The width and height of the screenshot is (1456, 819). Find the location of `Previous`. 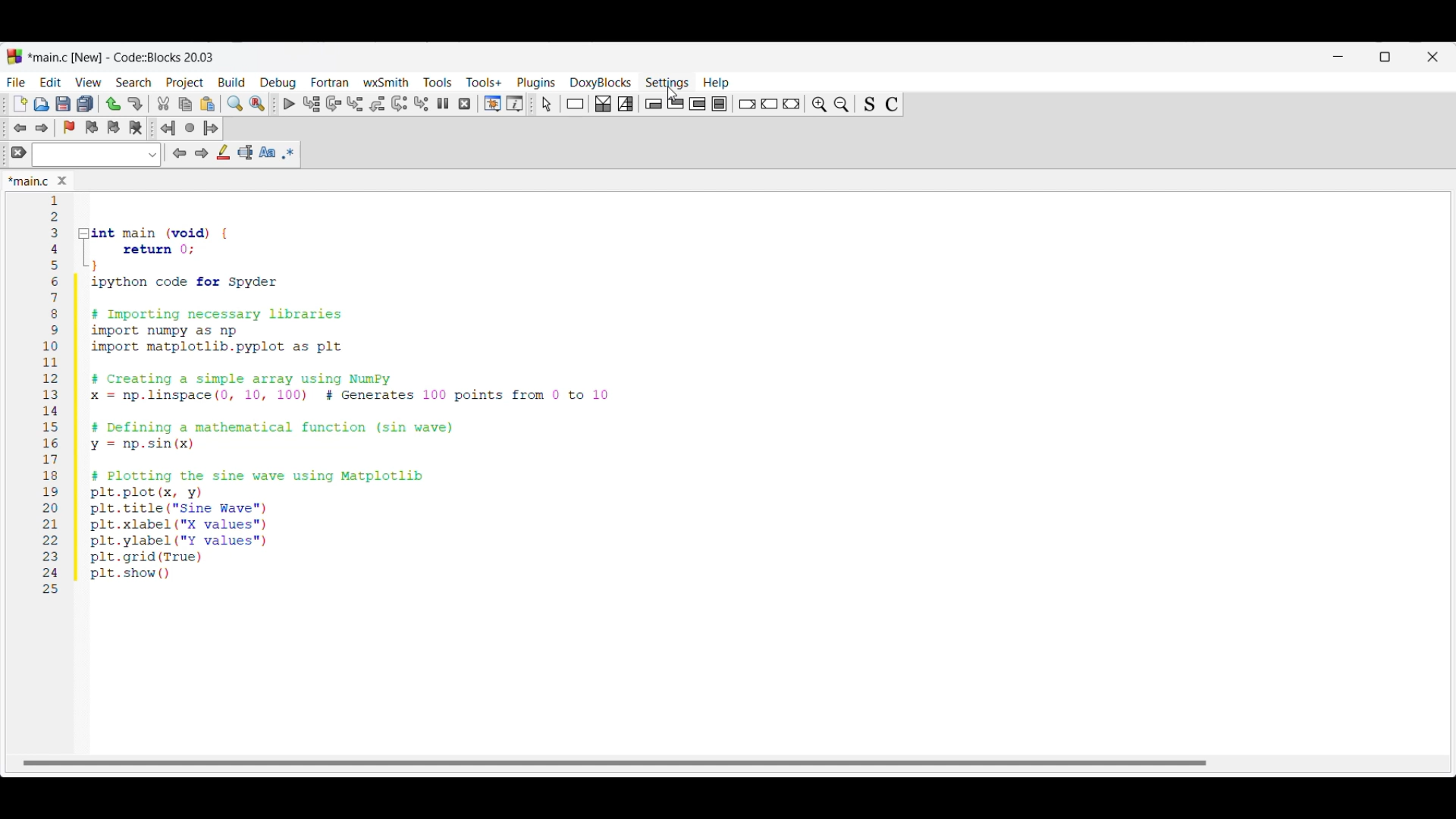

Previous is located at coordinates (180, 153).